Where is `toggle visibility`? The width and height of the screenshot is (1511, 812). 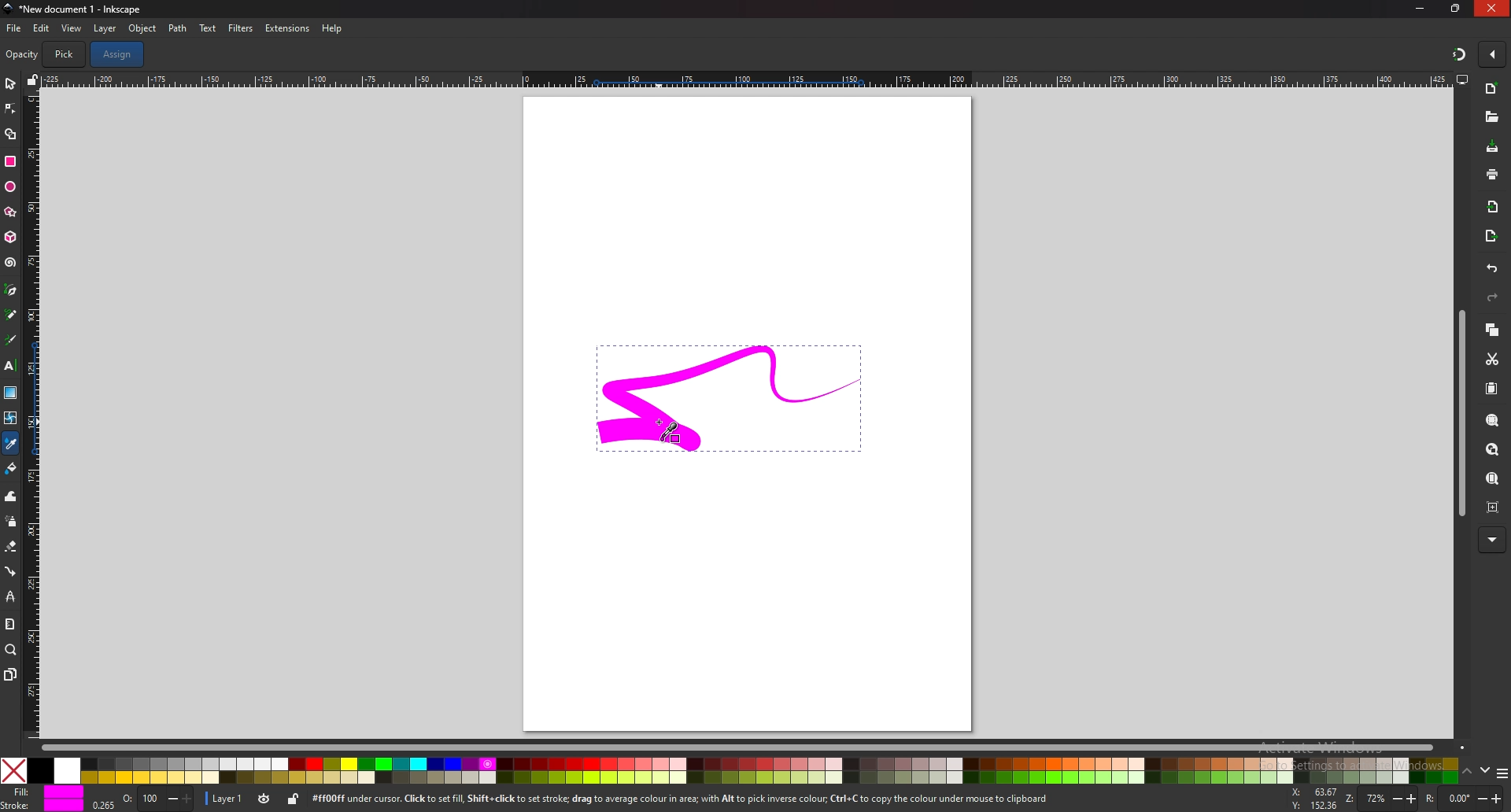 toggle visibility is located at coordinates (264, 799).